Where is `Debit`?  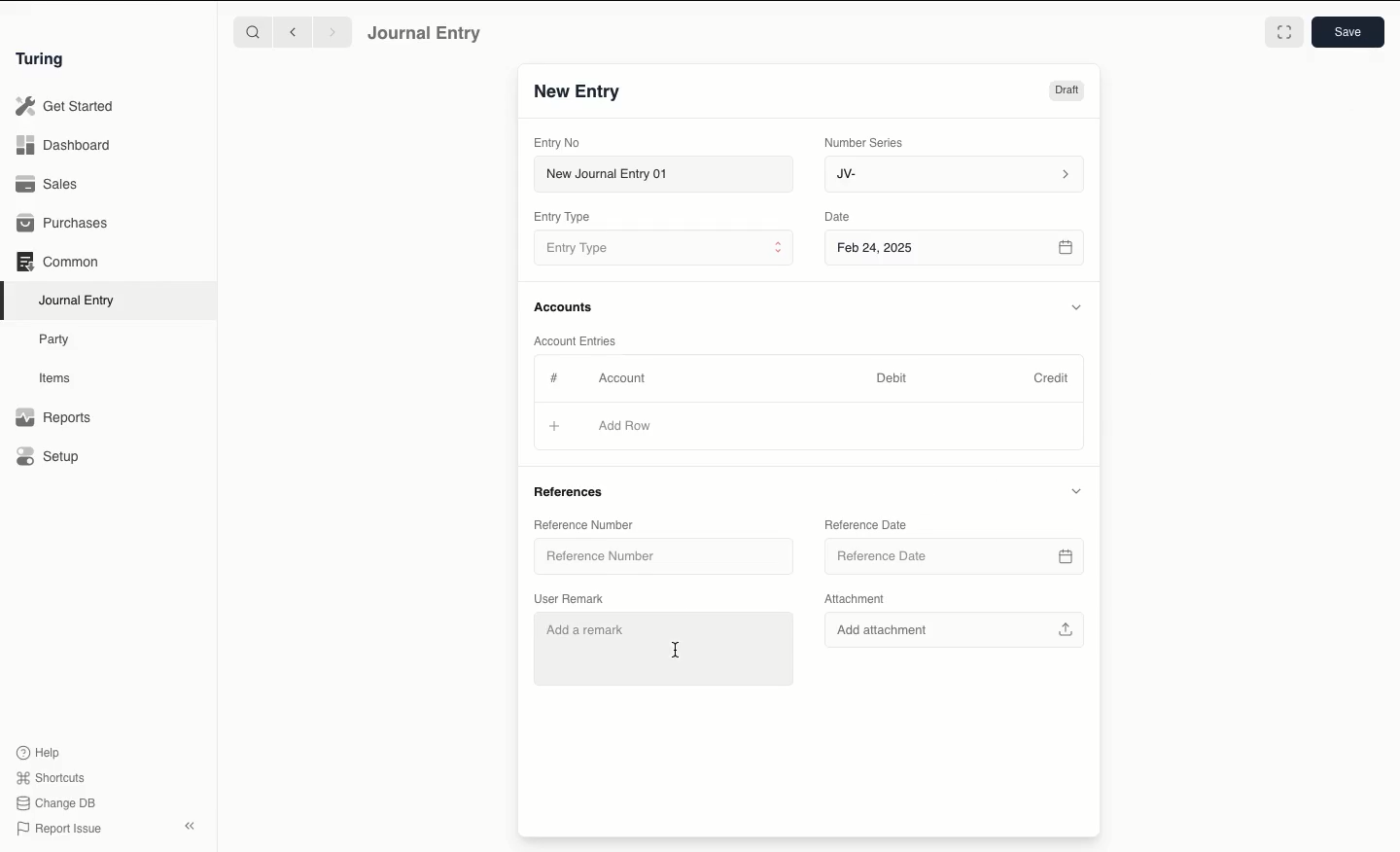
Debit is located at coordinates (892, 378).